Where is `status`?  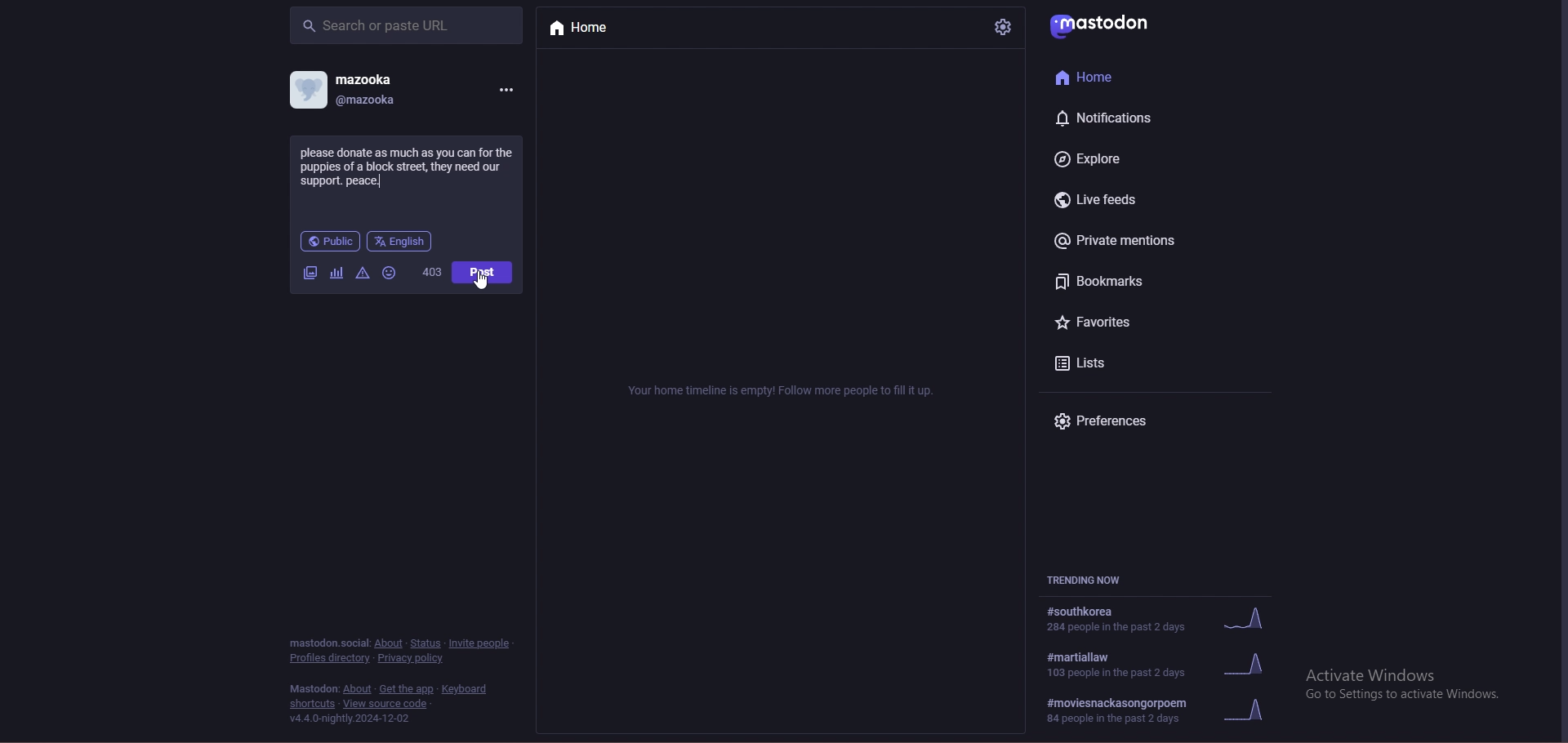 status is located at coordinates (425, 643).